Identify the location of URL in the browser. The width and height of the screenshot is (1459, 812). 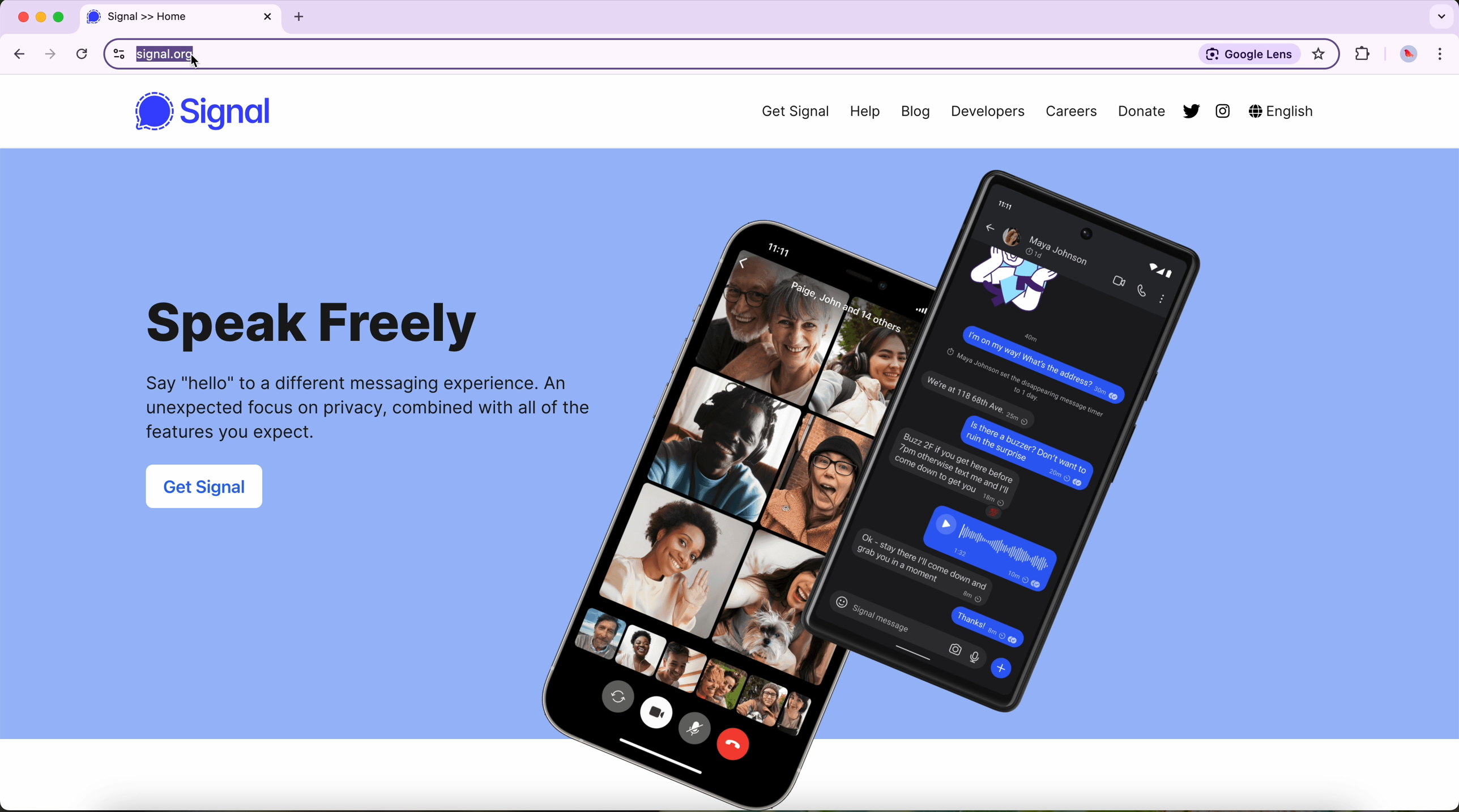
(630, 54).